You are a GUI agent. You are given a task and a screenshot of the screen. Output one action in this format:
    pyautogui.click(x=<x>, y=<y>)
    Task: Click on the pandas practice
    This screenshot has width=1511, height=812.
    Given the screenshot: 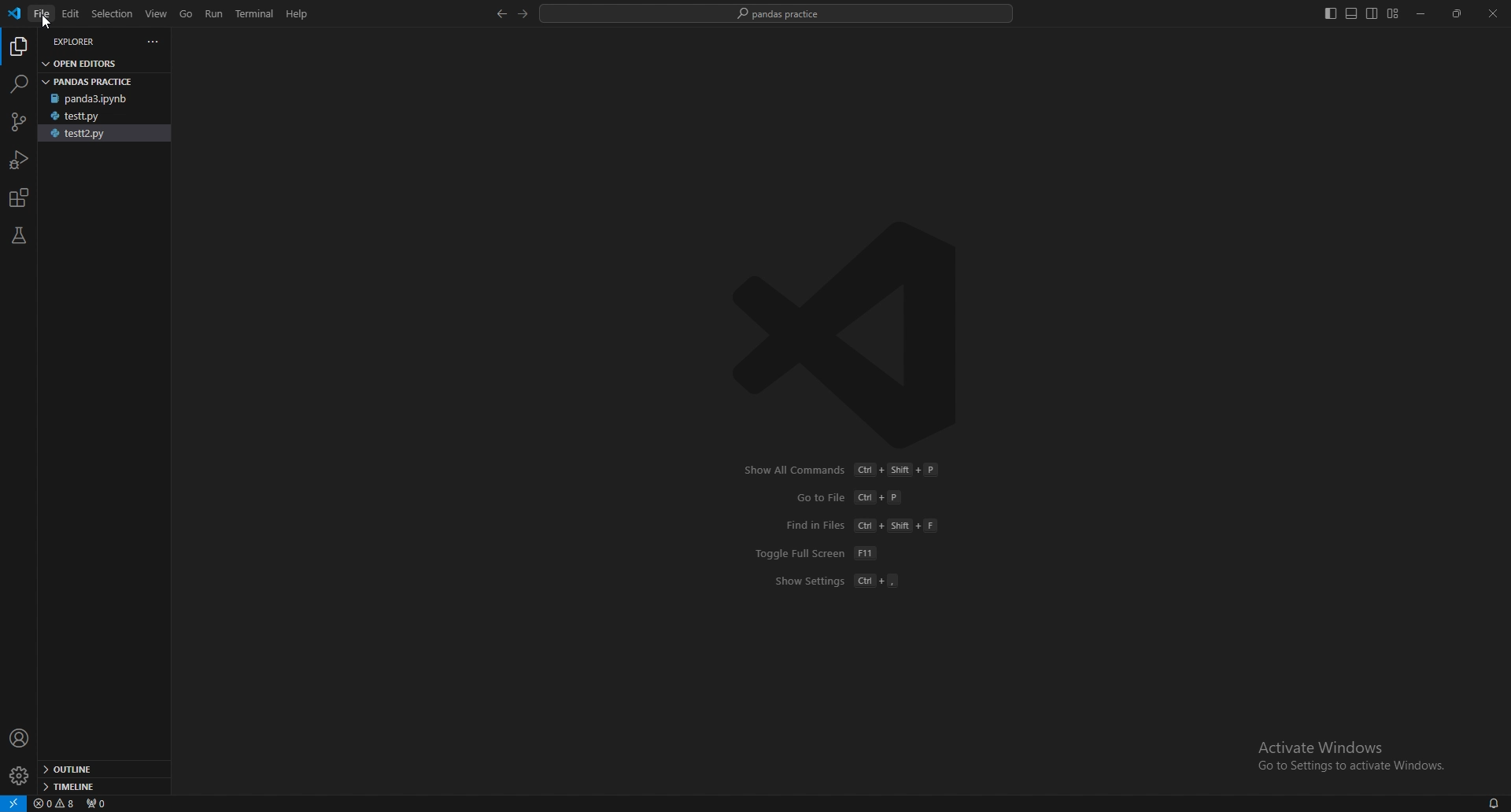 What is the action you would take?
    pyautogui.click(x=98, y=81)
    